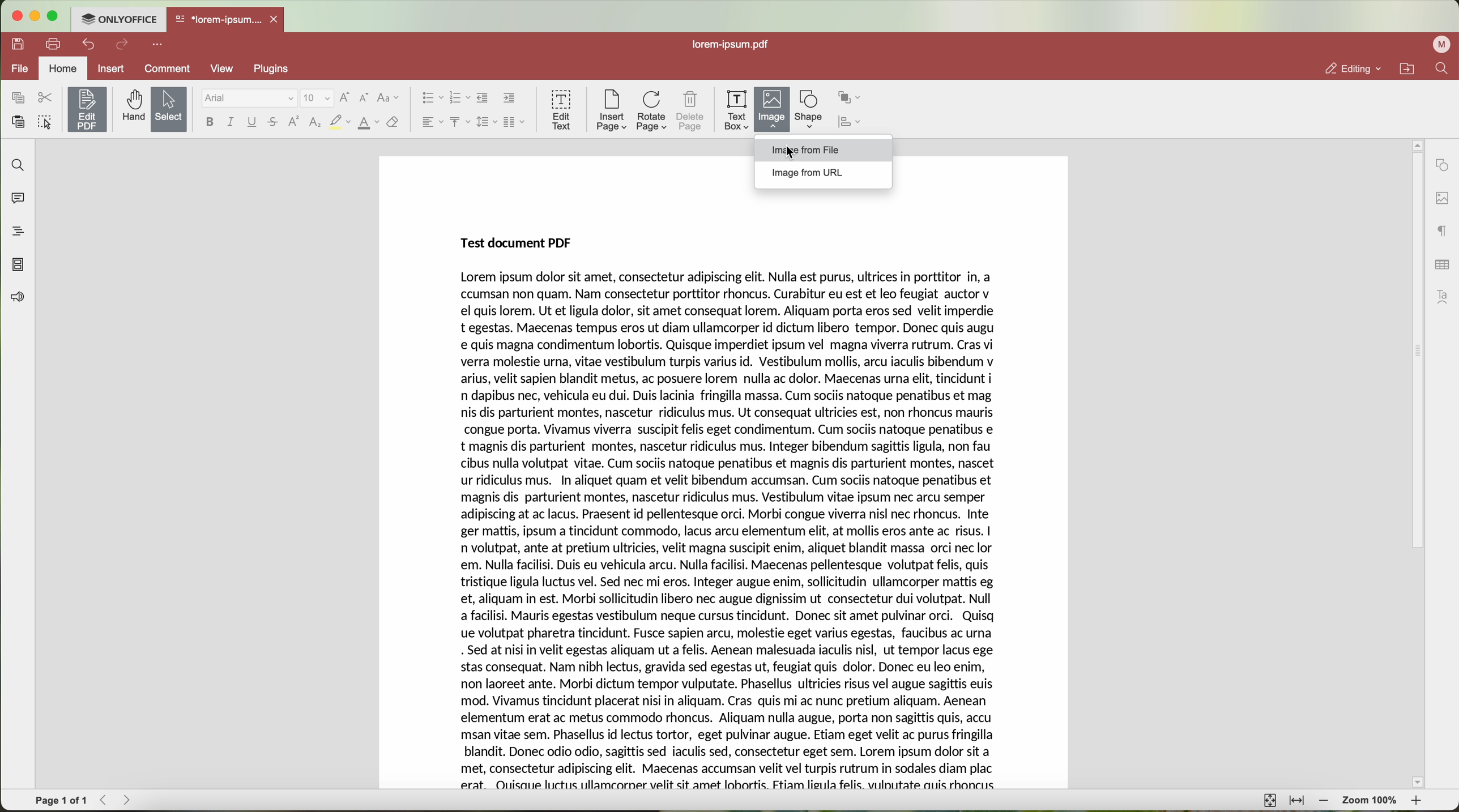 The width and height of the screenshot is (1459, 812). I want to click on cursor, so click(791, 155).